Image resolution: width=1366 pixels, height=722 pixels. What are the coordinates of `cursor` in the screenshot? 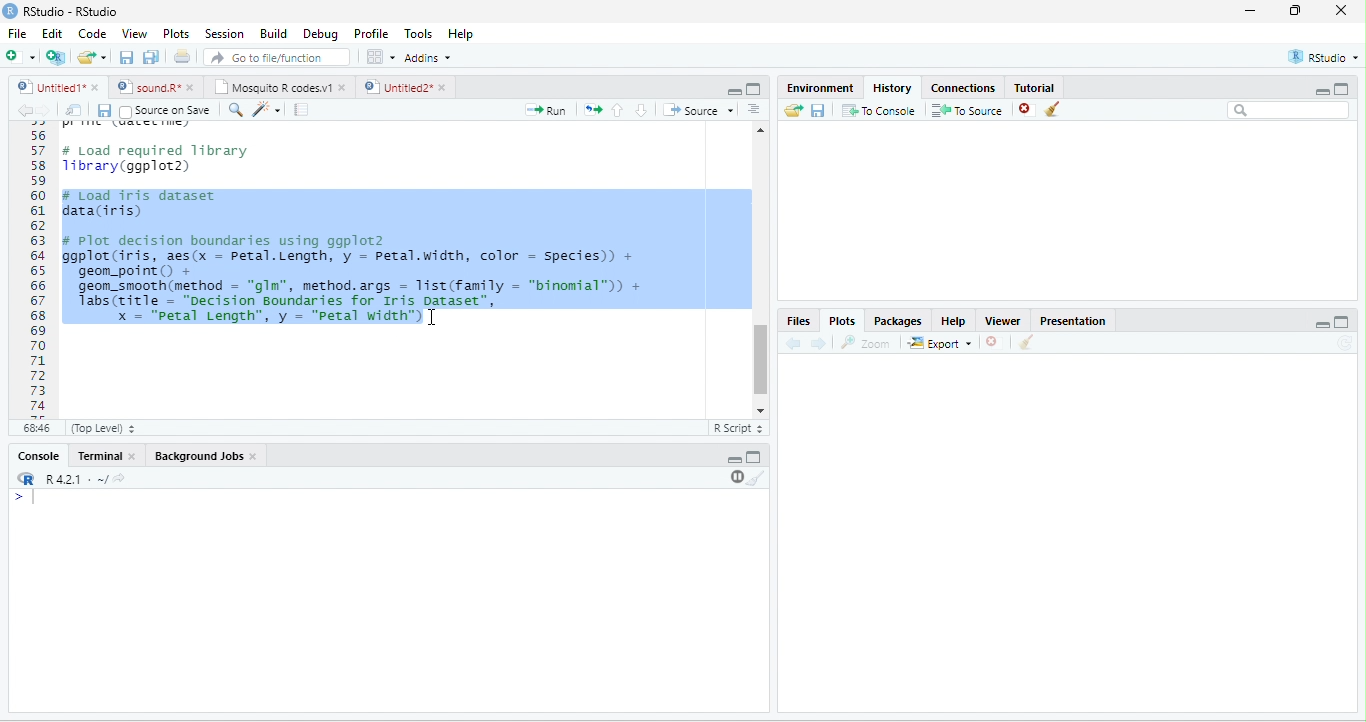 It's located at (431, 317).